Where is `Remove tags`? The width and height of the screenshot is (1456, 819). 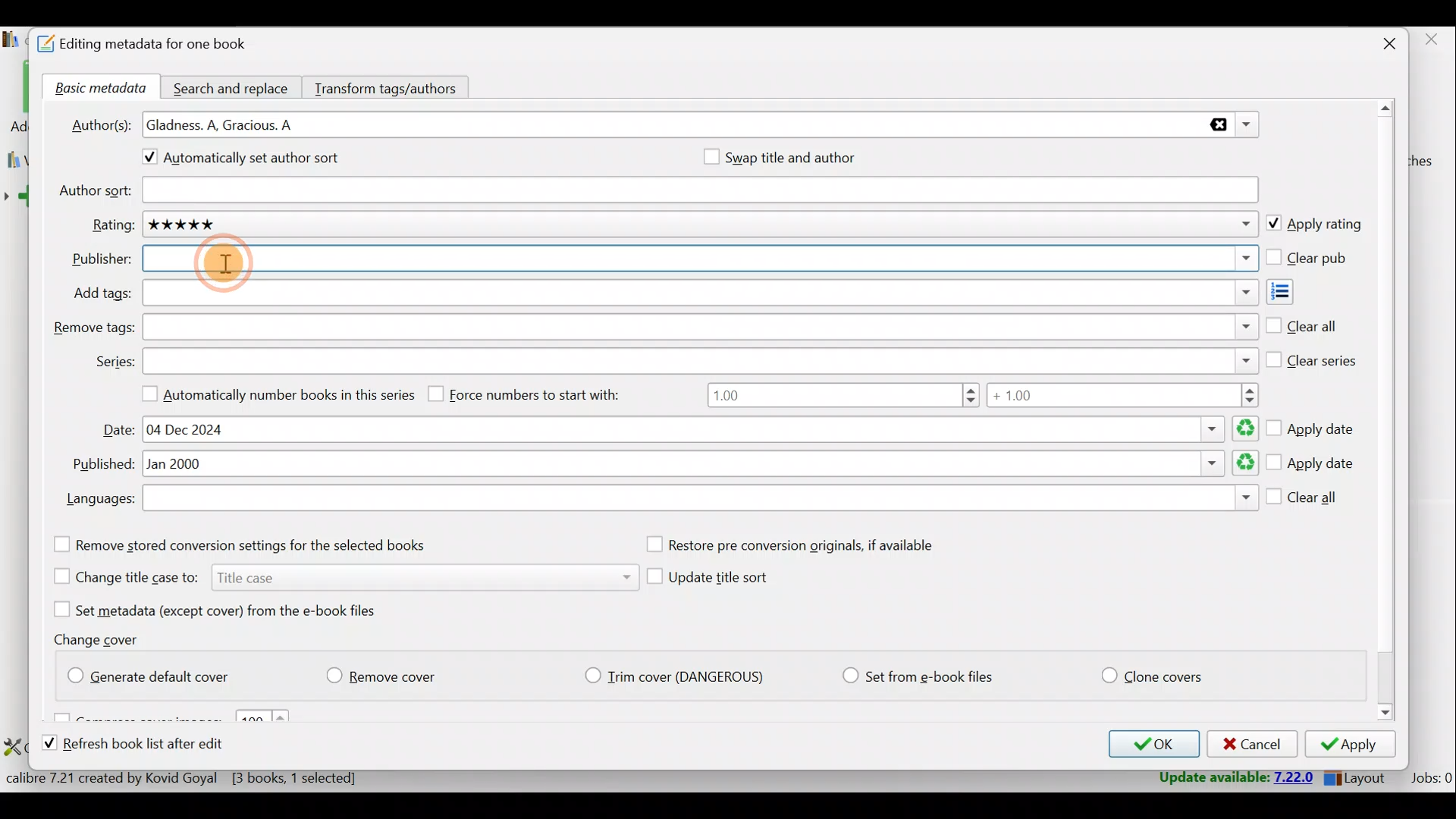
Remove tags is located at coordinates (698, 327).